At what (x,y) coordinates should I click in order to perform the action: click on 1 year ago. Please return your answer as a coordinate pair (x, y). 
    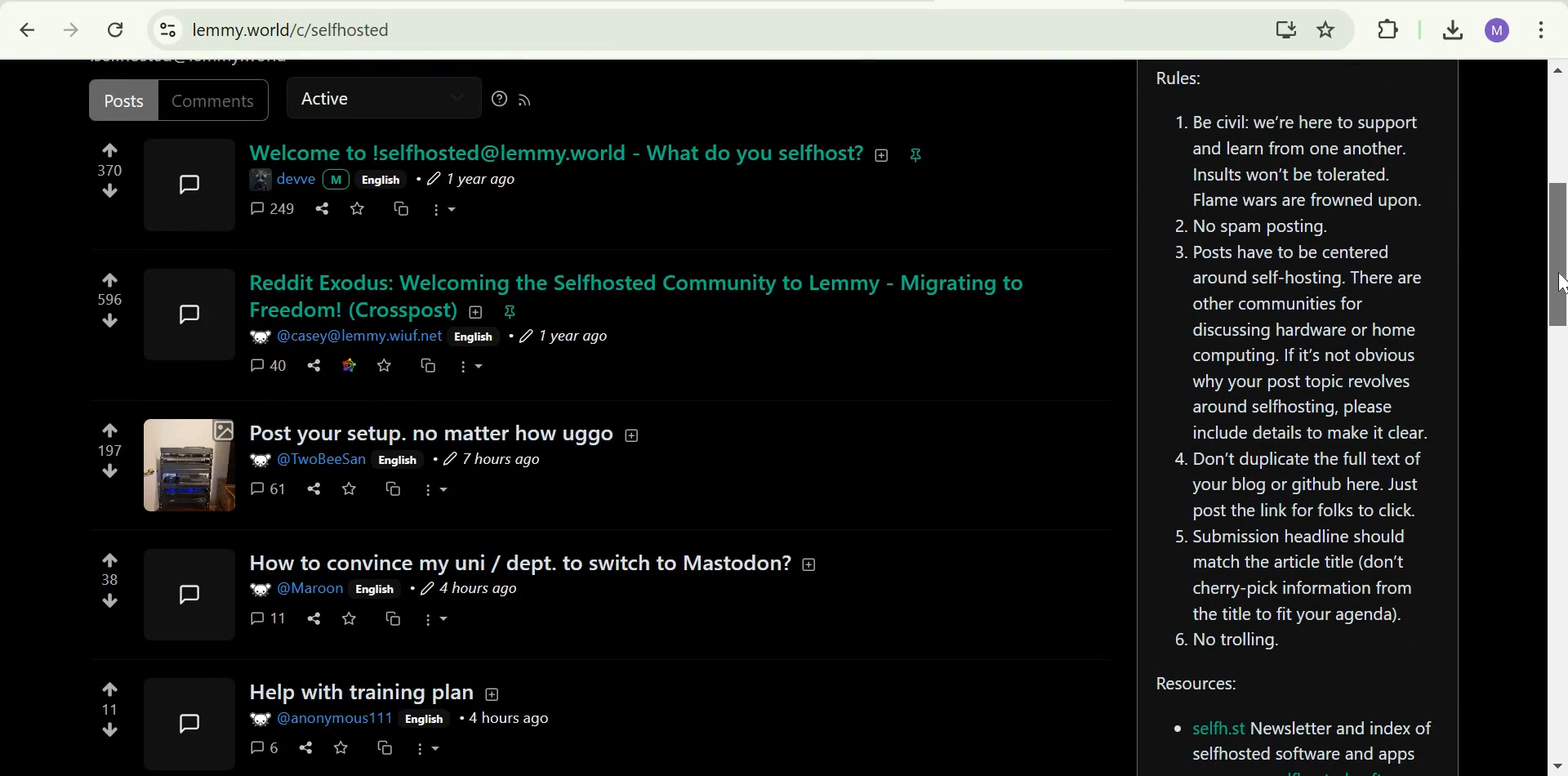
    Looking at the image, I should click on (477, 179).